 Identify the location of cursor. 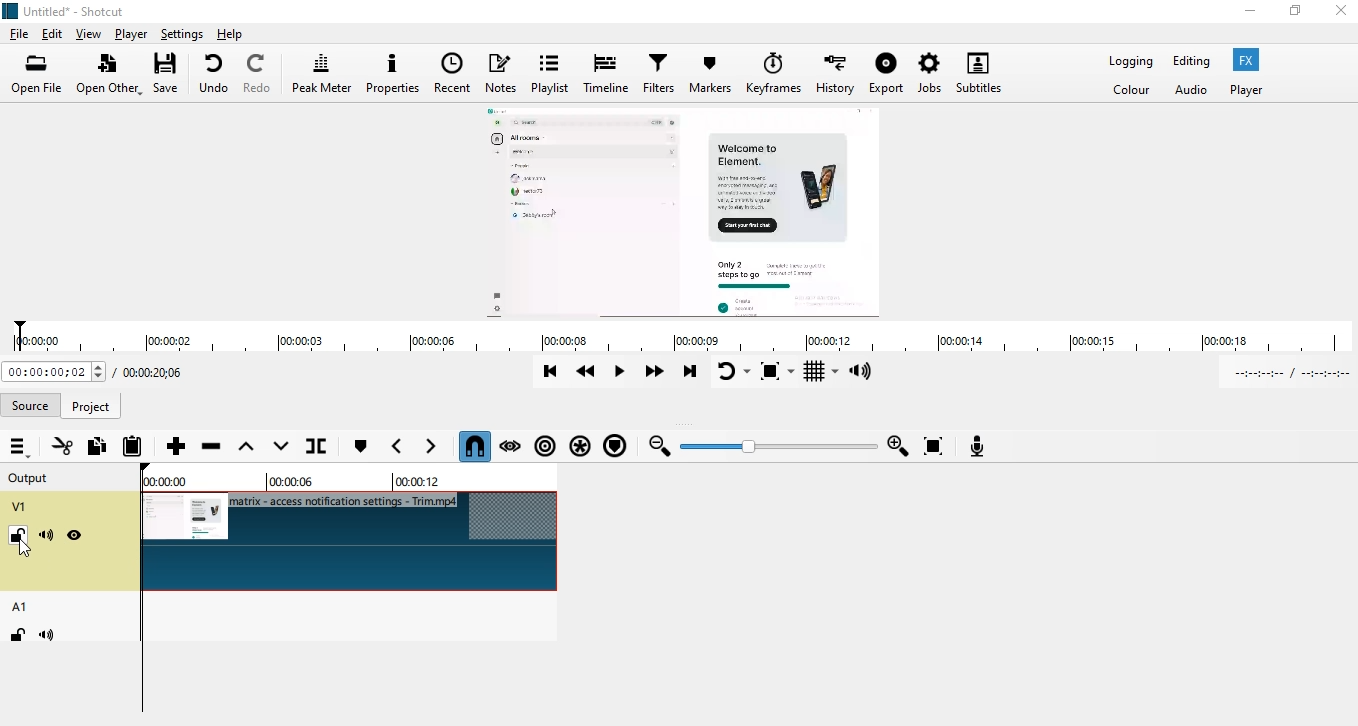
(31, 552).